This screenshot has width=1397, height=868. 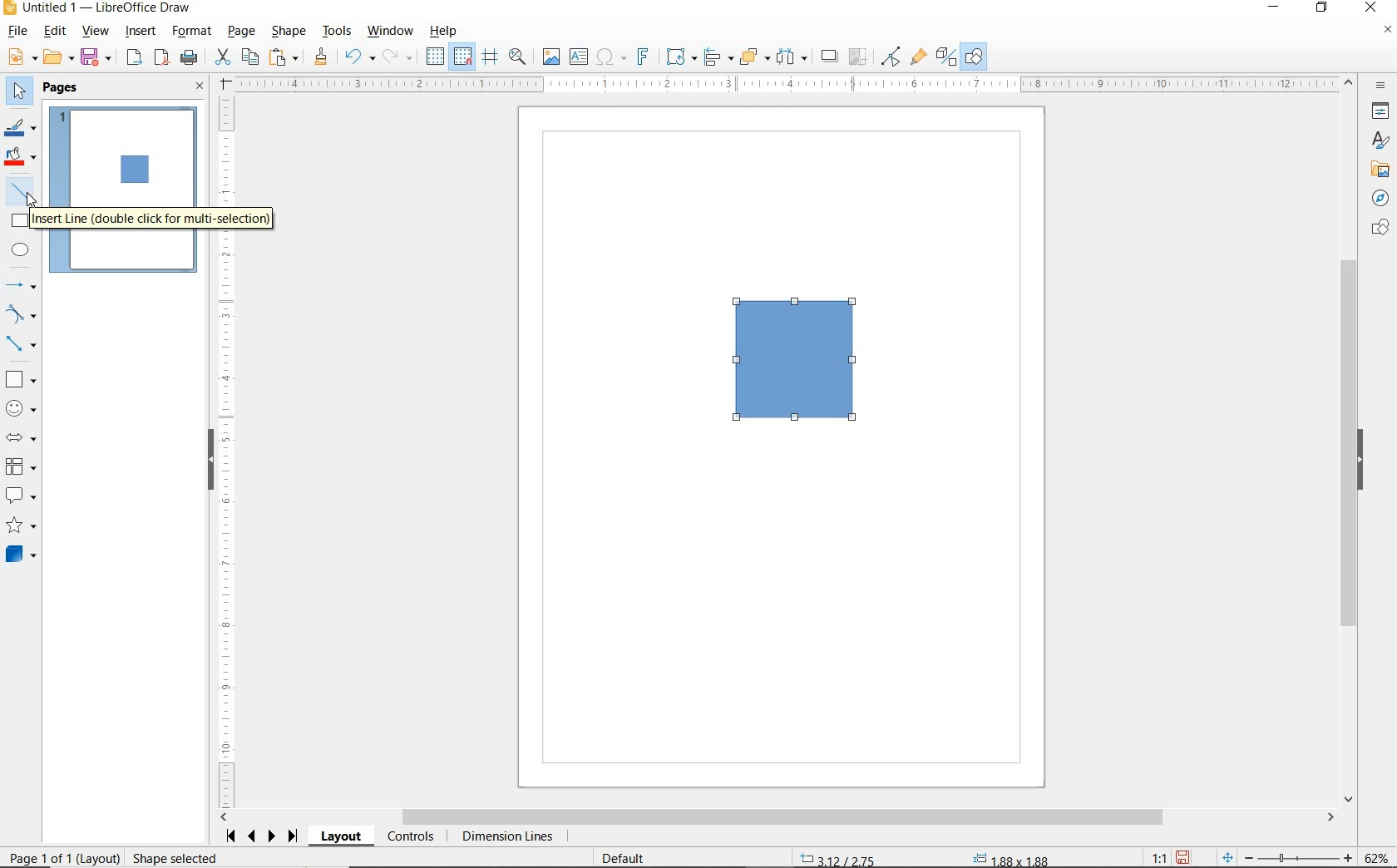 What do you see at coordinates (792, 57) in the screenshot?
I see `SELECT AT LEAST THREE OBJECTS TO DISTRIBUTE` at bounding box center [792, 57].